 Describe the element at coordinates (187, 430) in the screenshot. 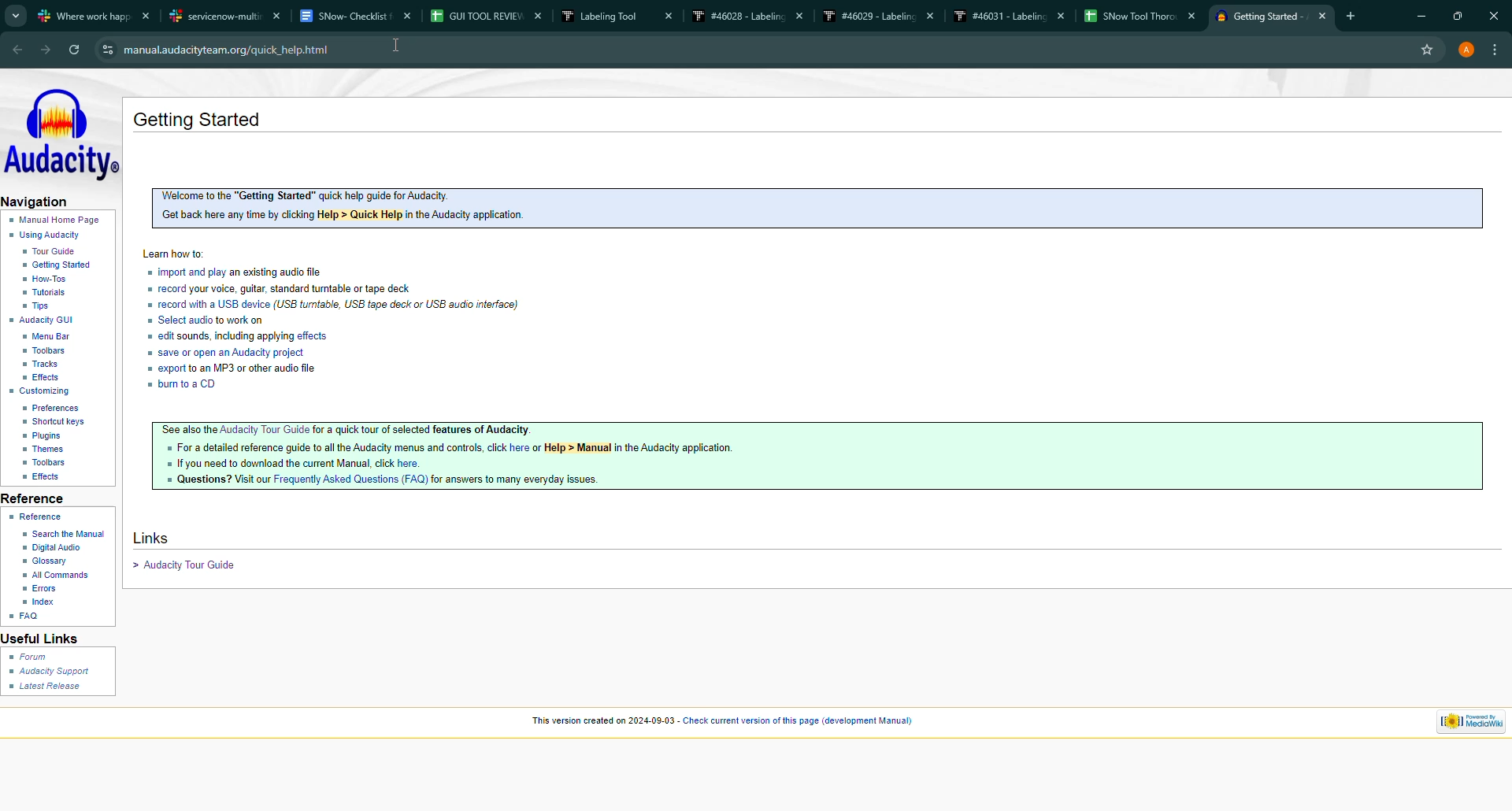

I see `See also the` at that location.